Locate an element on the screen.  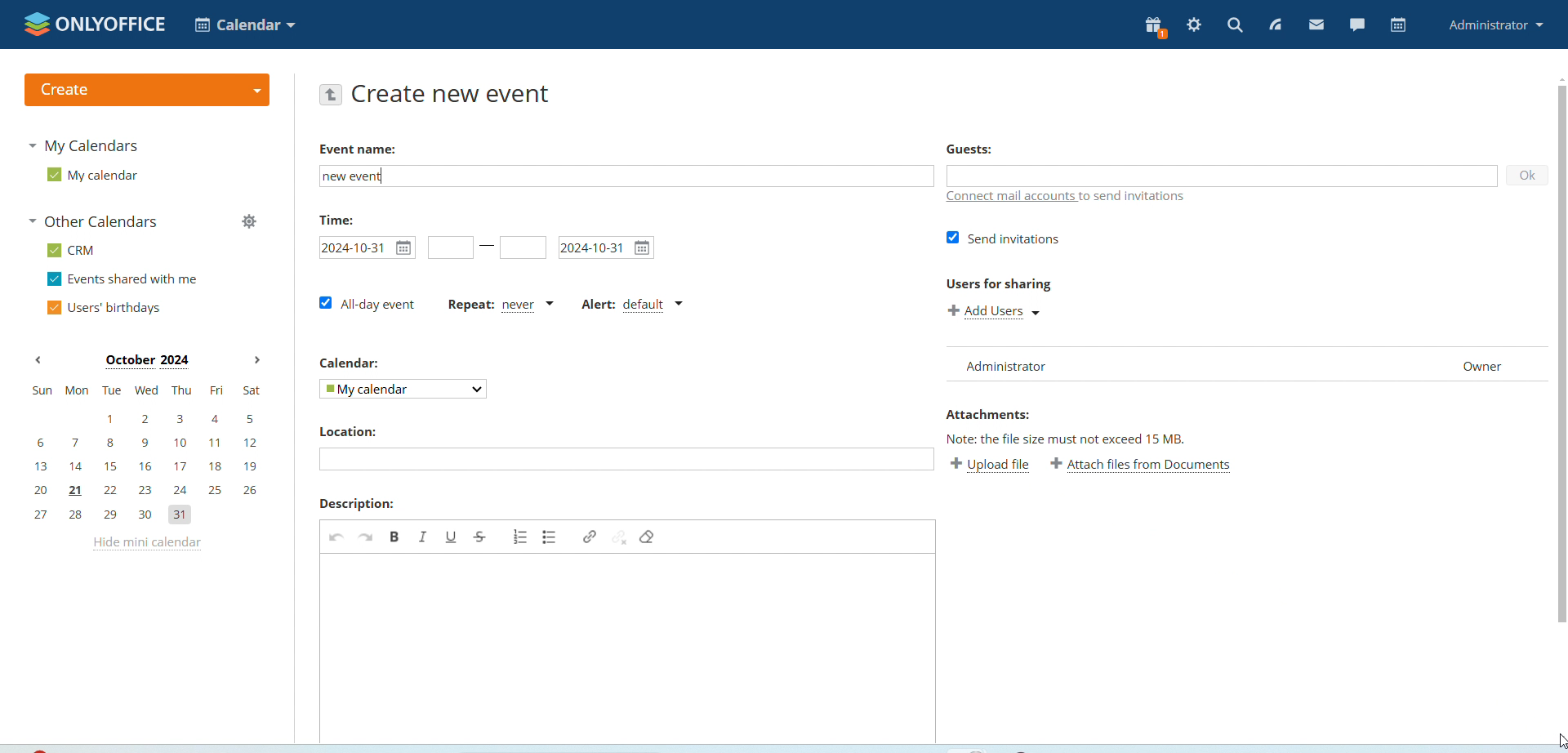
2024-10-31 is located at coordinates (365, 248).